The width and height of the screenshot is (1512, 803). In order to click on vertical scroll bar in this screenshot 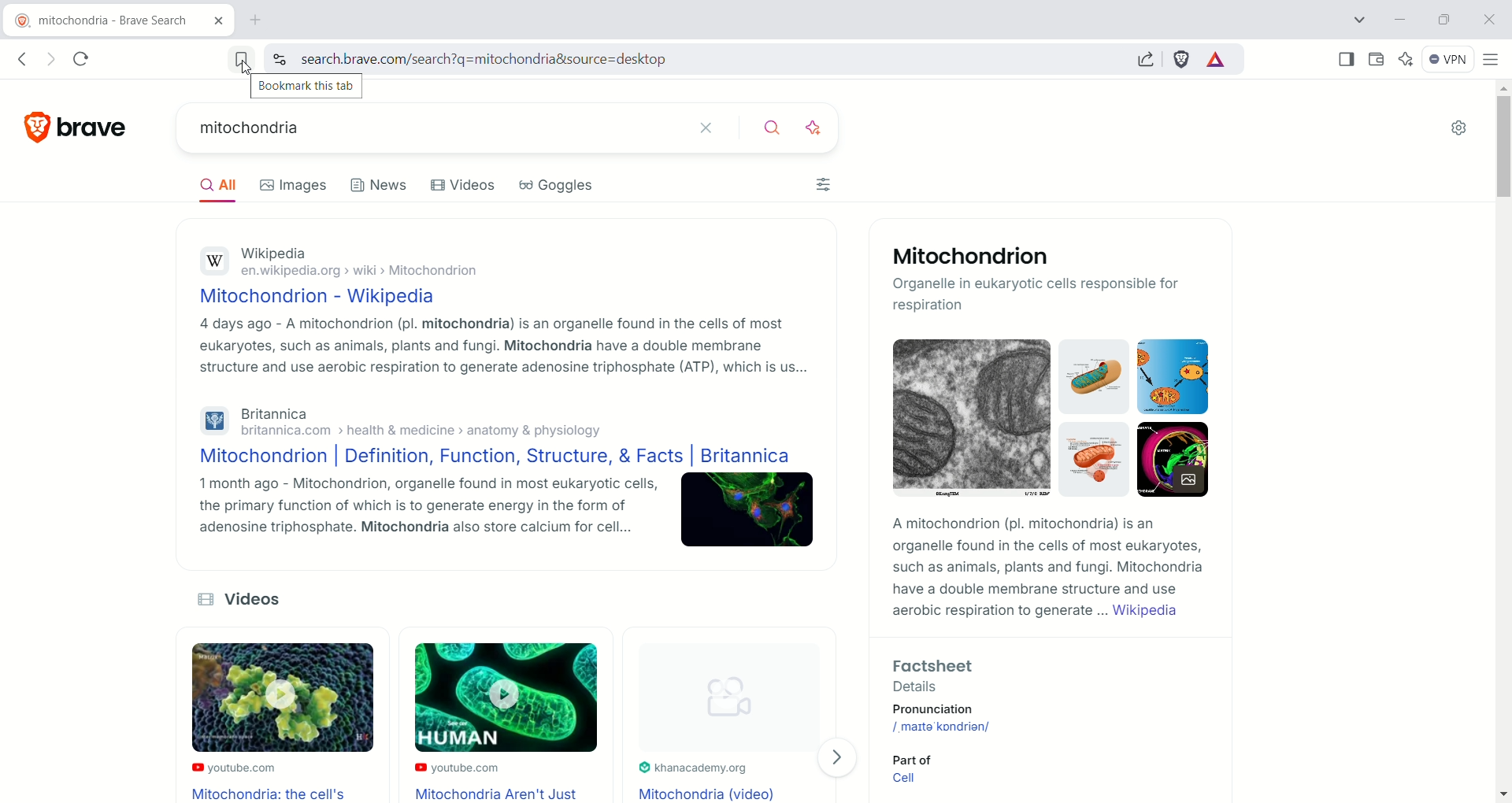, I will do `click(1503, 439)`.